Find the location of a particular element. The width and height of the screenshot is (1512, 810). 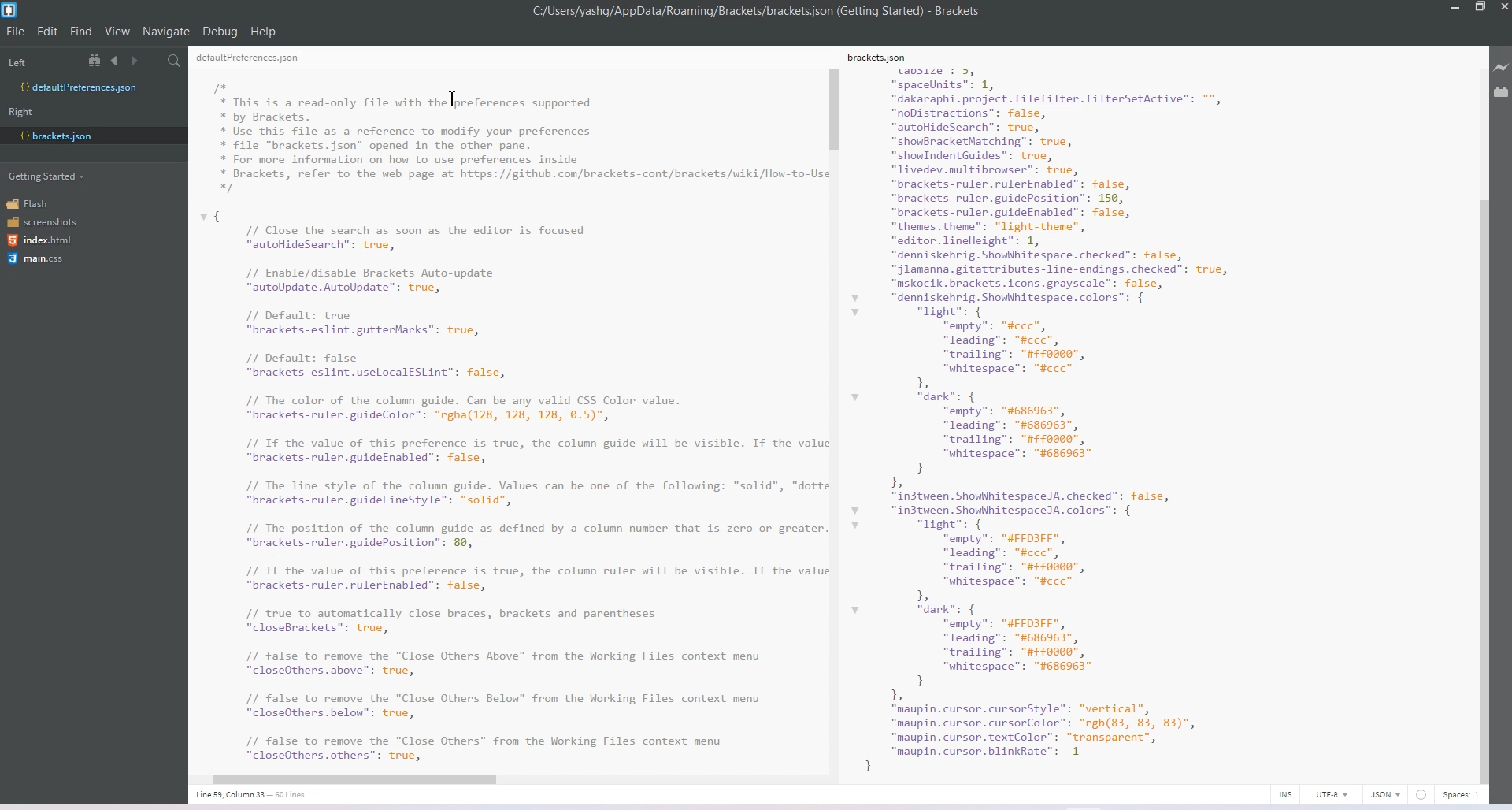

UTF-8 is located at coordinates (1332, 794).